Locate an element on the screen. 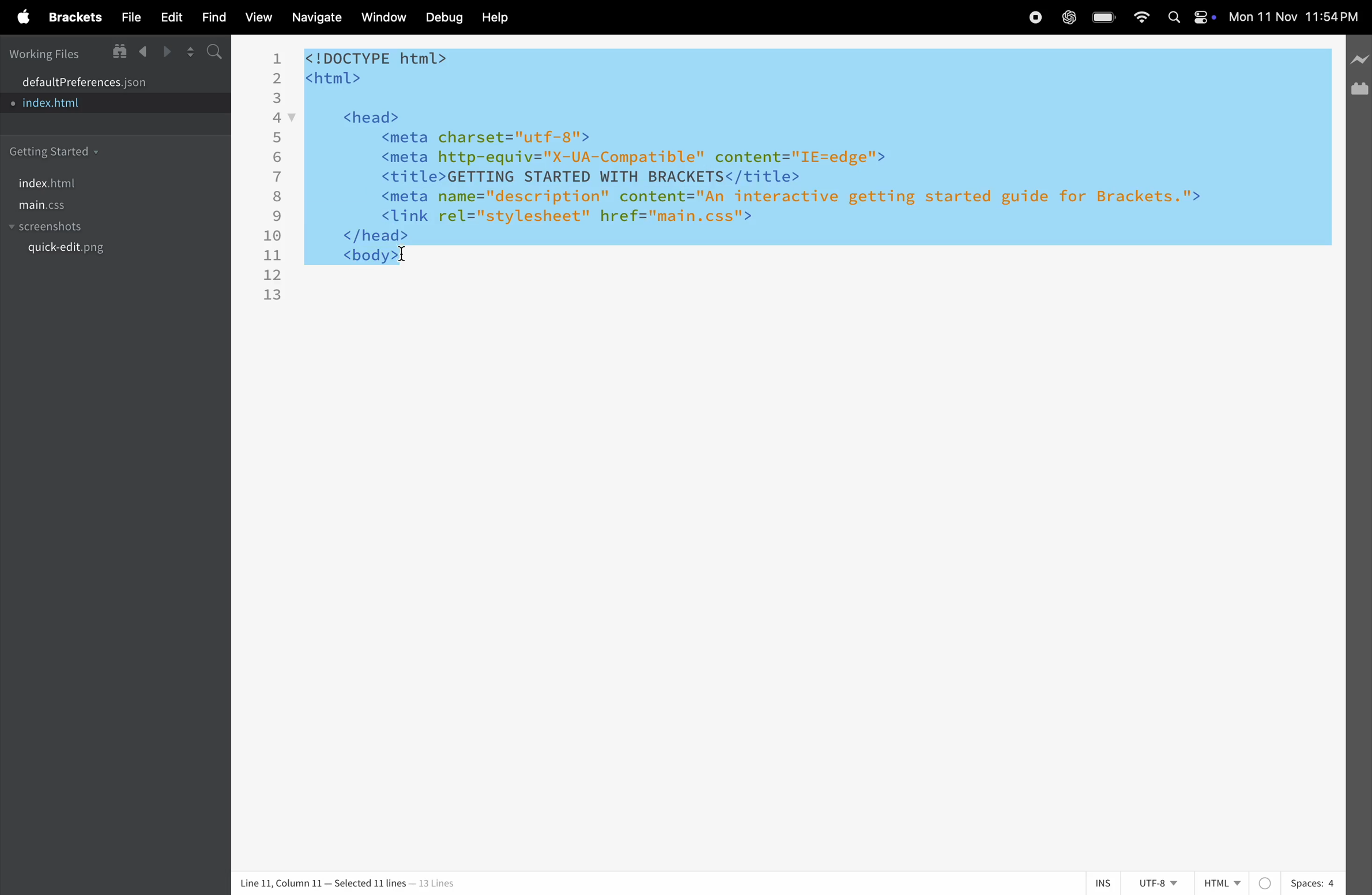  11 is located at coordinates (272, 255).